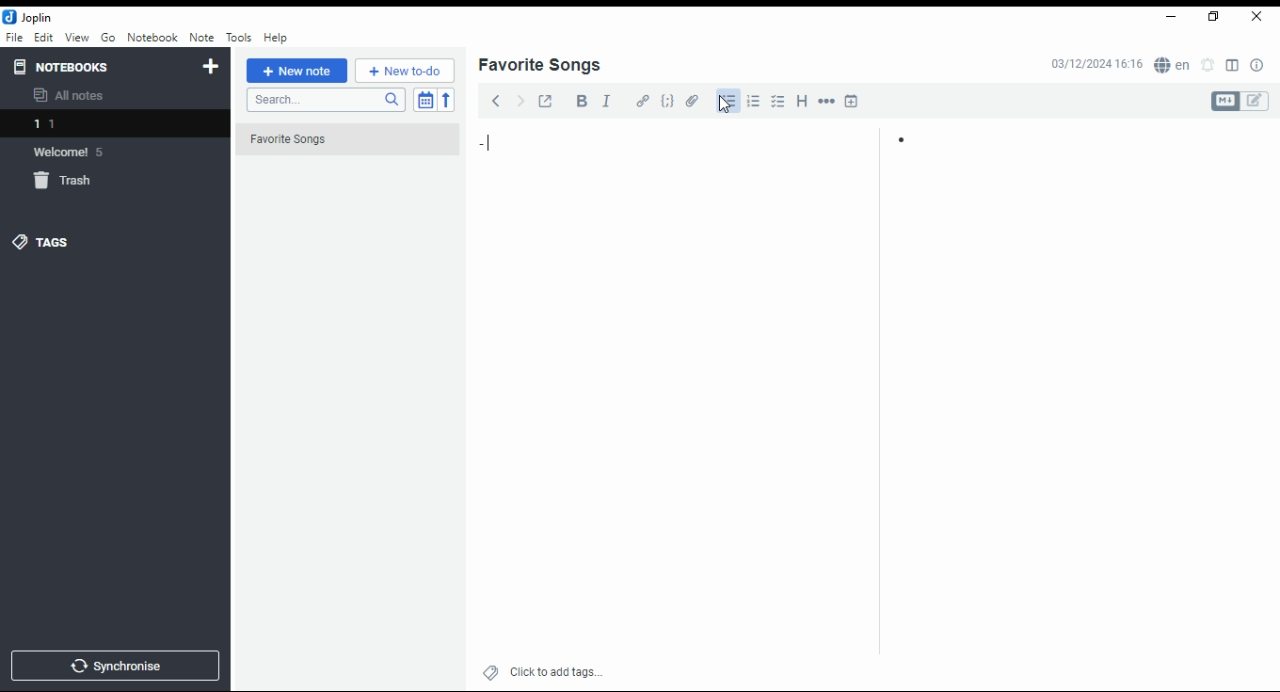  What do you see at coordinates (43, 36) in the screenshot?
I see `edit` at bounding box center [43, 36].